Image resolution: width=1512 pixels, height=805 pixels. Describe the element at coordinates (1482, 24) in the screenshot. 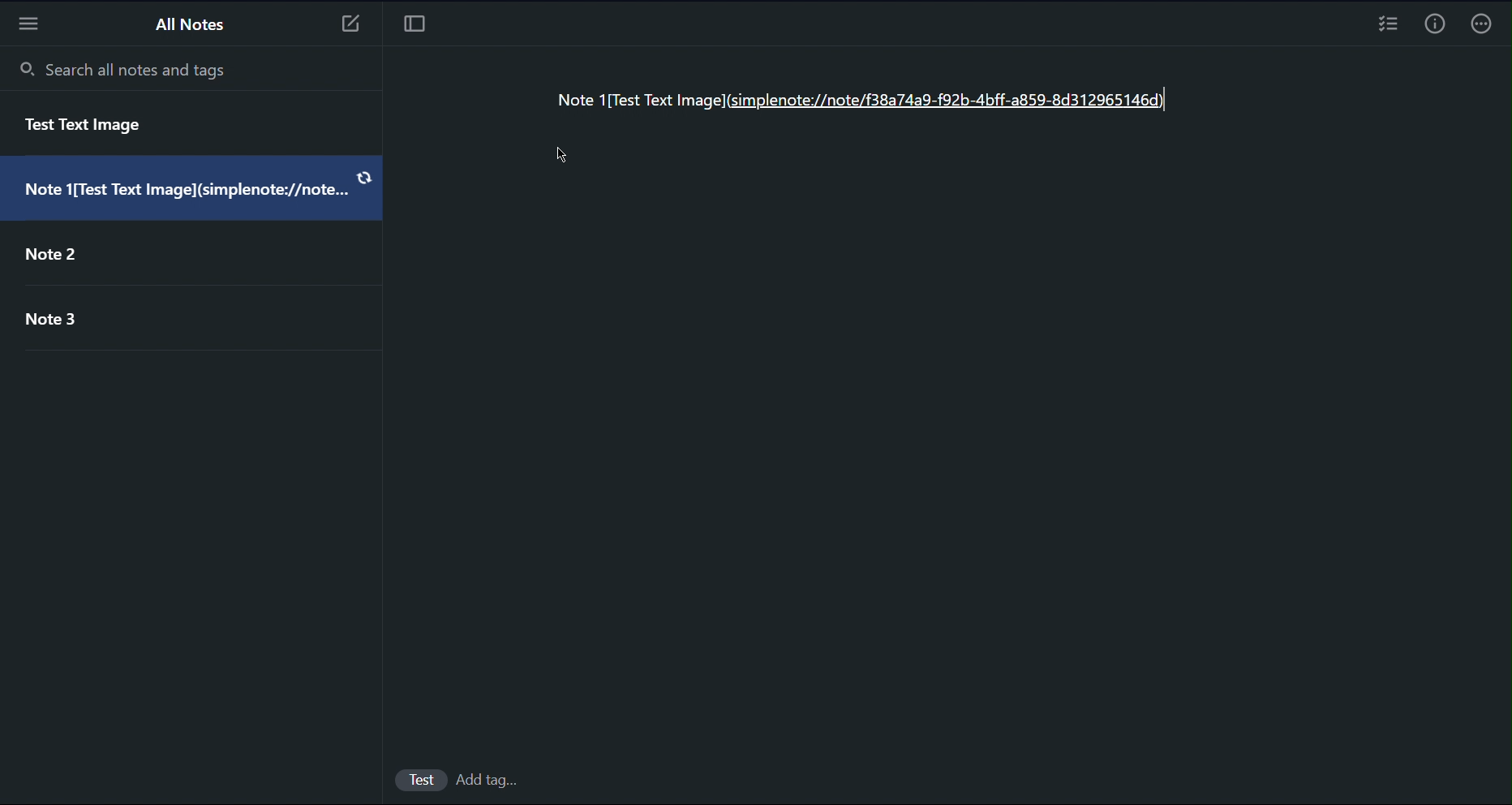

I see `More` at that location.